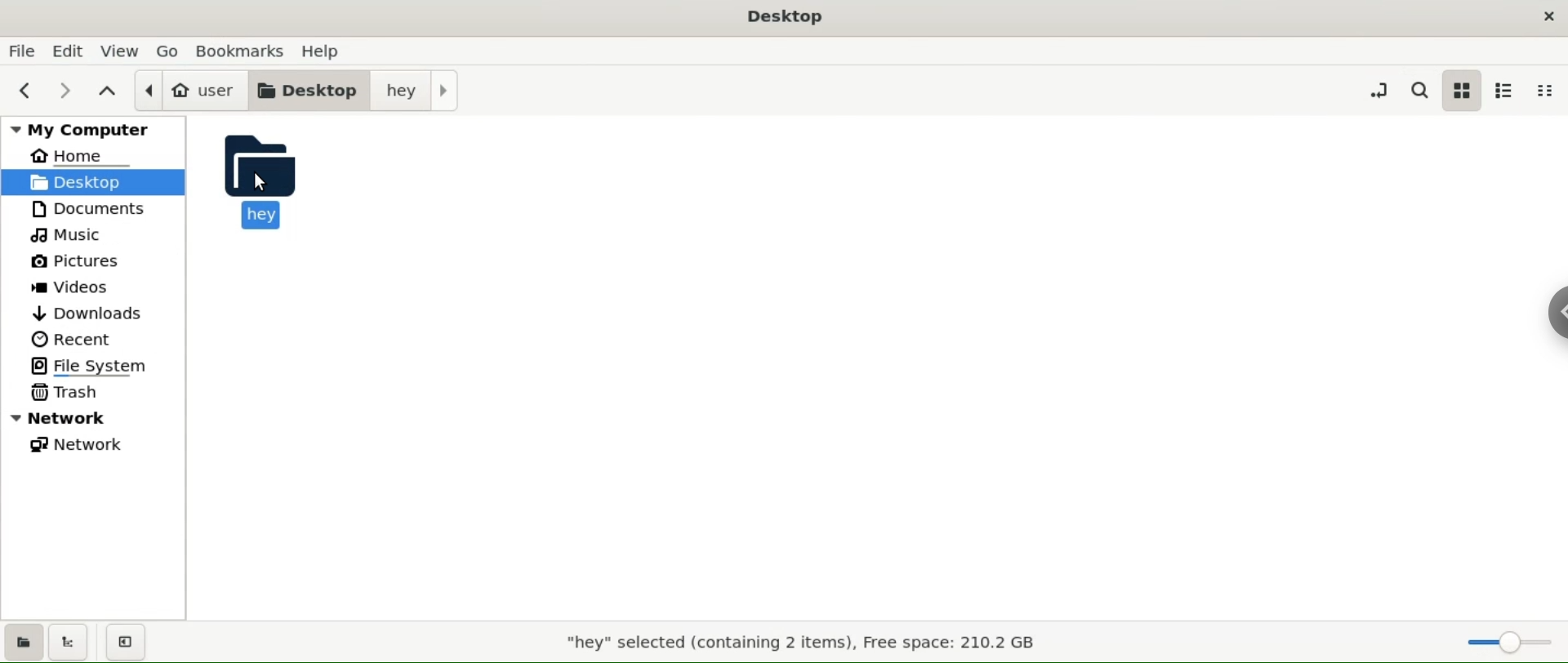 Image resolution: width=1568 pixels, height=663 pixels. What do you see at coordinates (67, 392) in the screenshot?
I see `trask` at bounding box center [67, 392].